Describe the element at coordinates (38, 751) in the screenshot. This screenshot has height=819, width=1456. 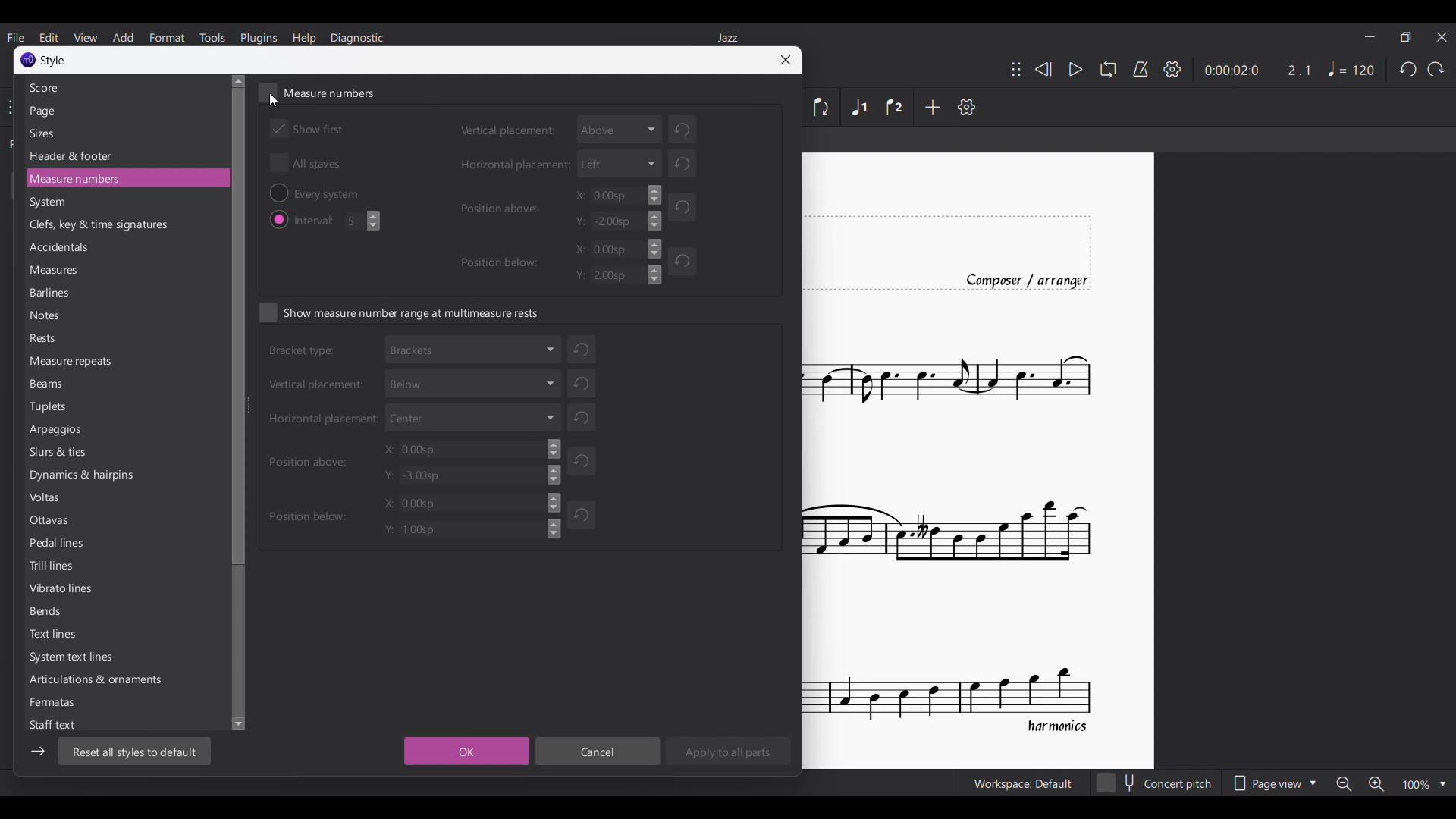
I see `Show/Hide sidebar` at that location.